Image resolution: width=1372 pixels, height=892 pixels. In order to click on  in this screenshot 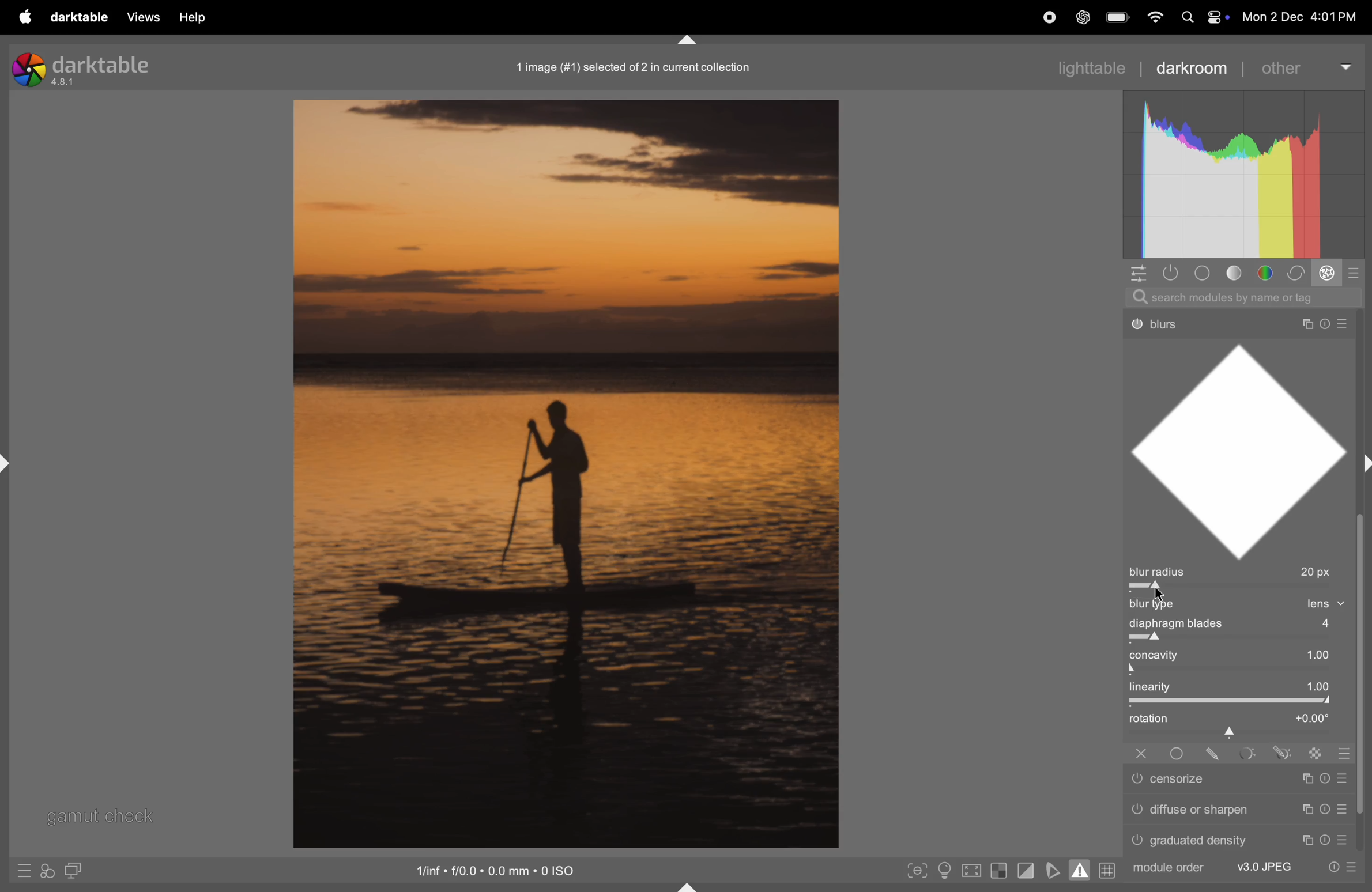, I will do `click(1245, 868)`.